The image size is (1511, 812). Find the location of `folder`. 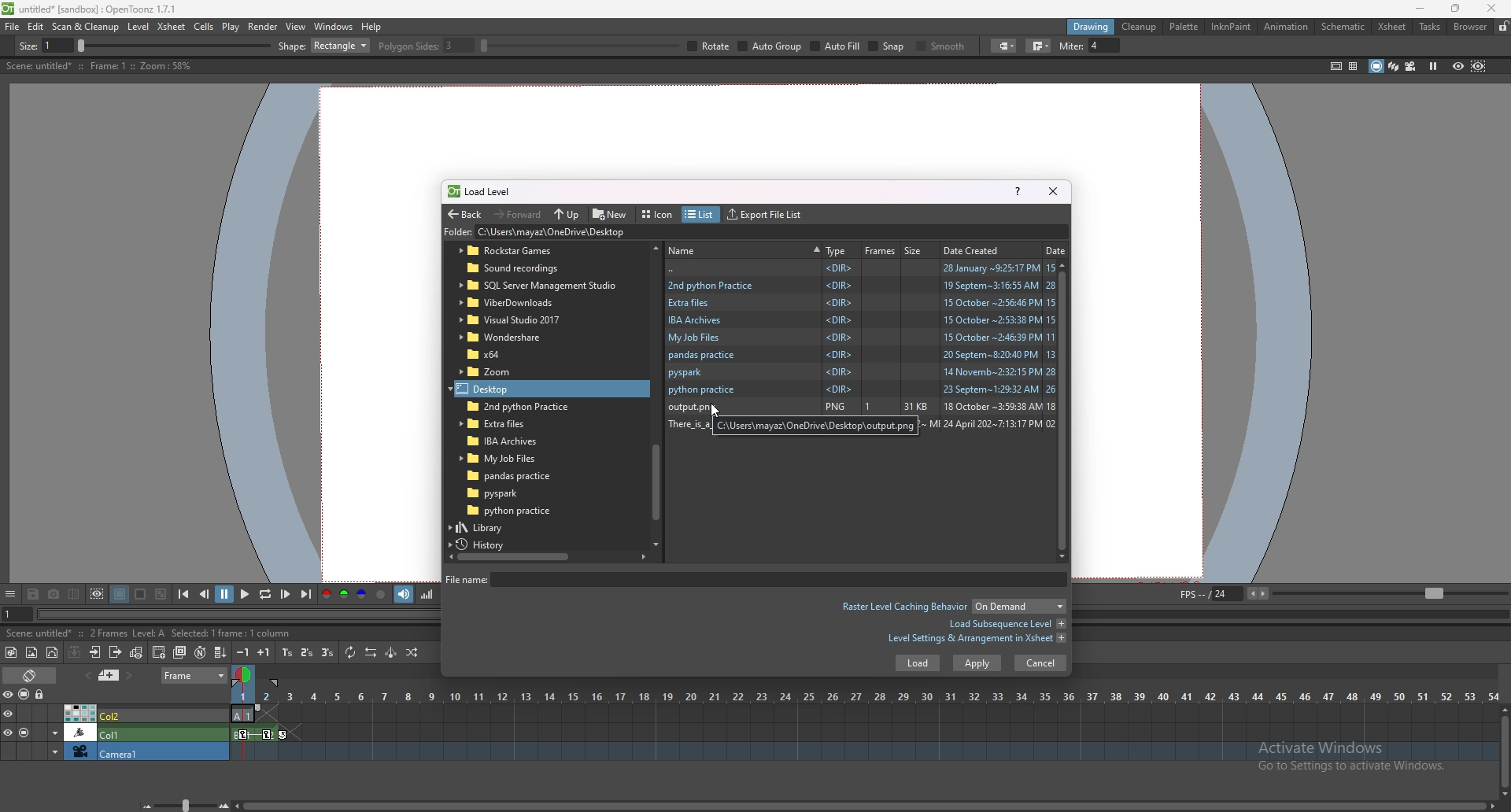

folder is located at coordinates (501, 389).